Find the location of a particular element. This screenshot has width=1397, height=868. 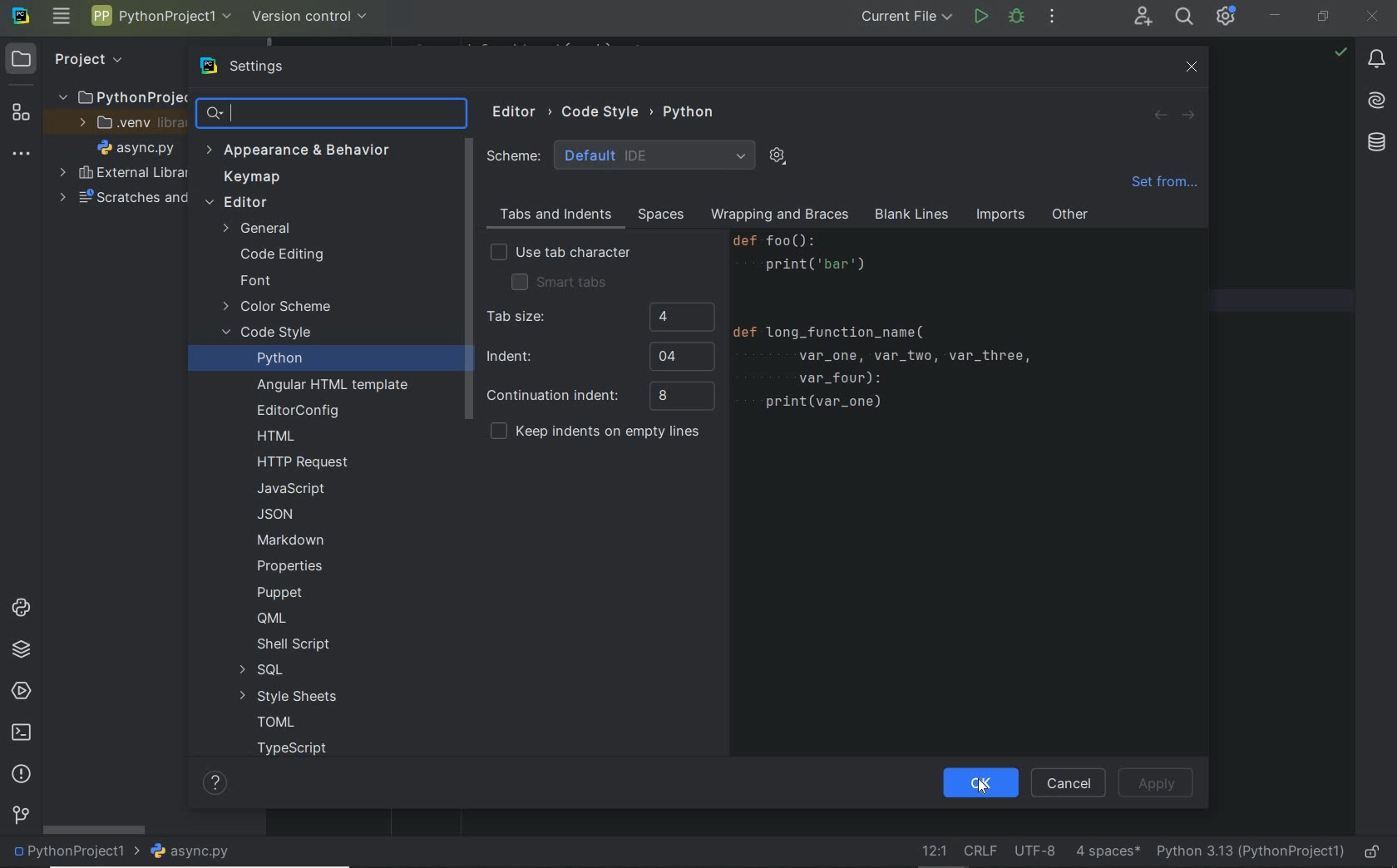

imports is located at coordinates (1000, 216).